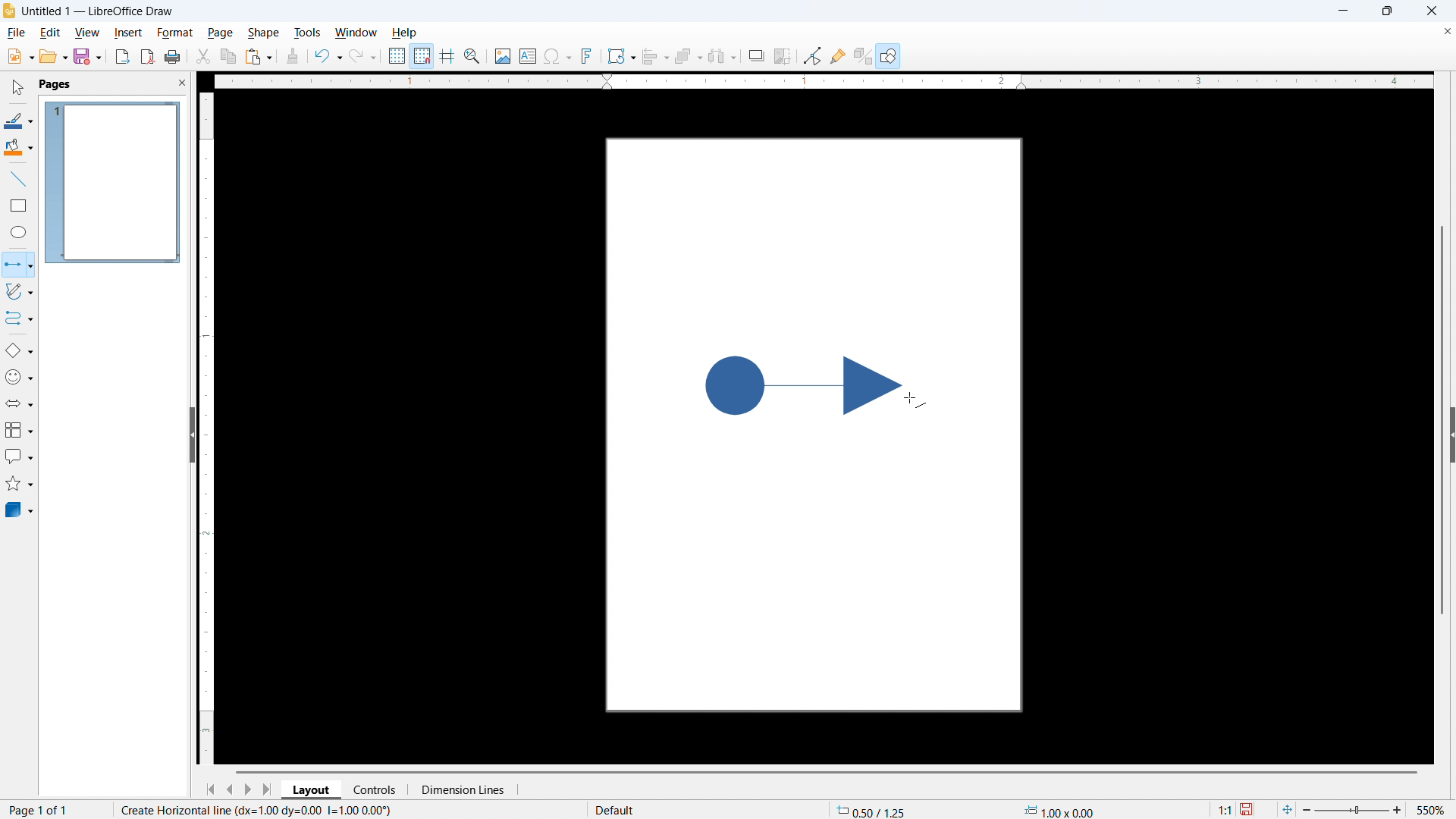 Image resolution: width=1456 pixels, height=819 pixels. What do you see at coordinates (16, 33) in the screenshot?
I see `file ` at bounding box center [16, 33].